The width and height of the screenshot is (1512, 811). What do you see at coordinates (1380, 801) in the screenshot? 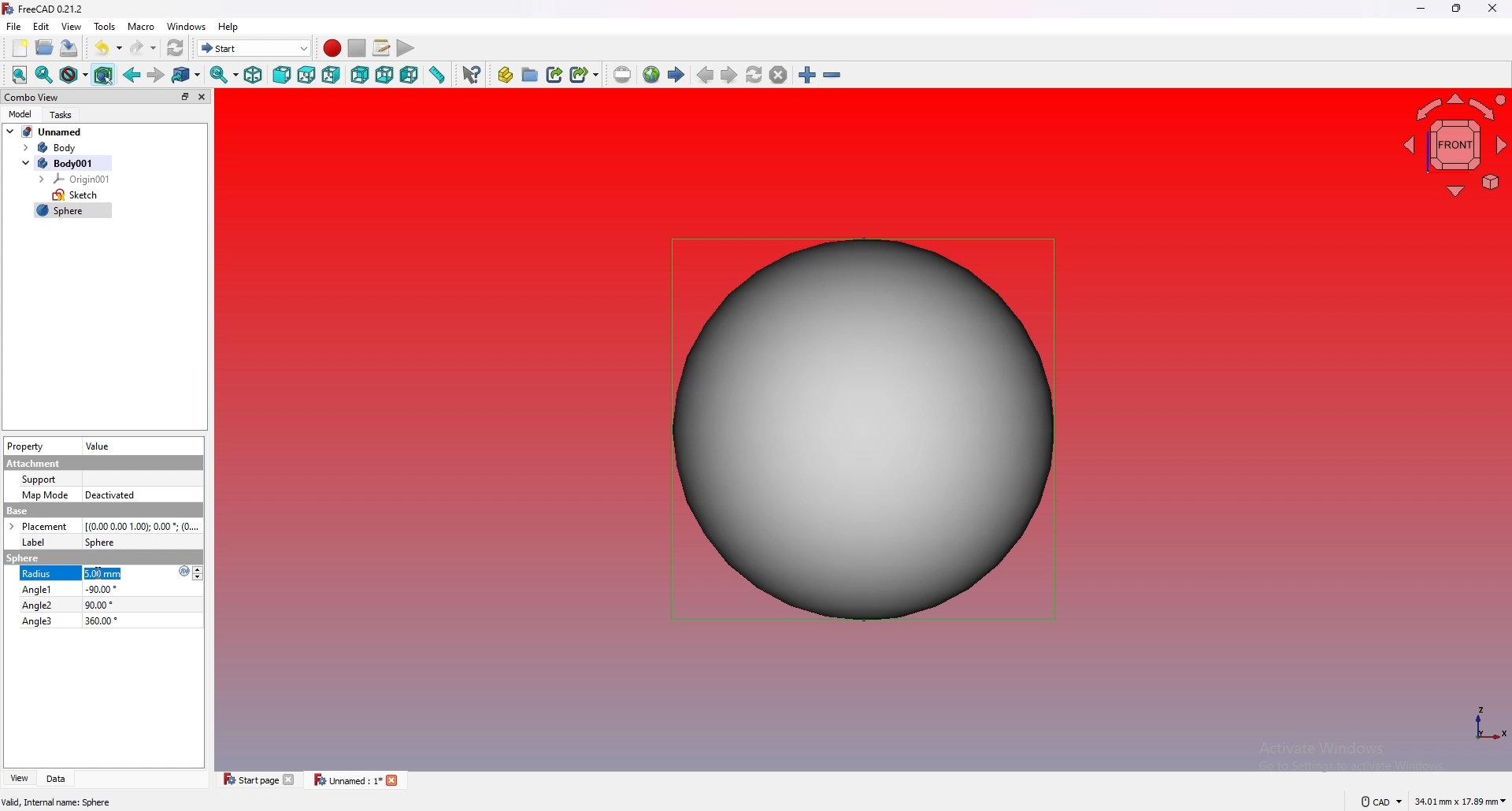
I see `CAD navigation` at bounding box center [1380, 801].